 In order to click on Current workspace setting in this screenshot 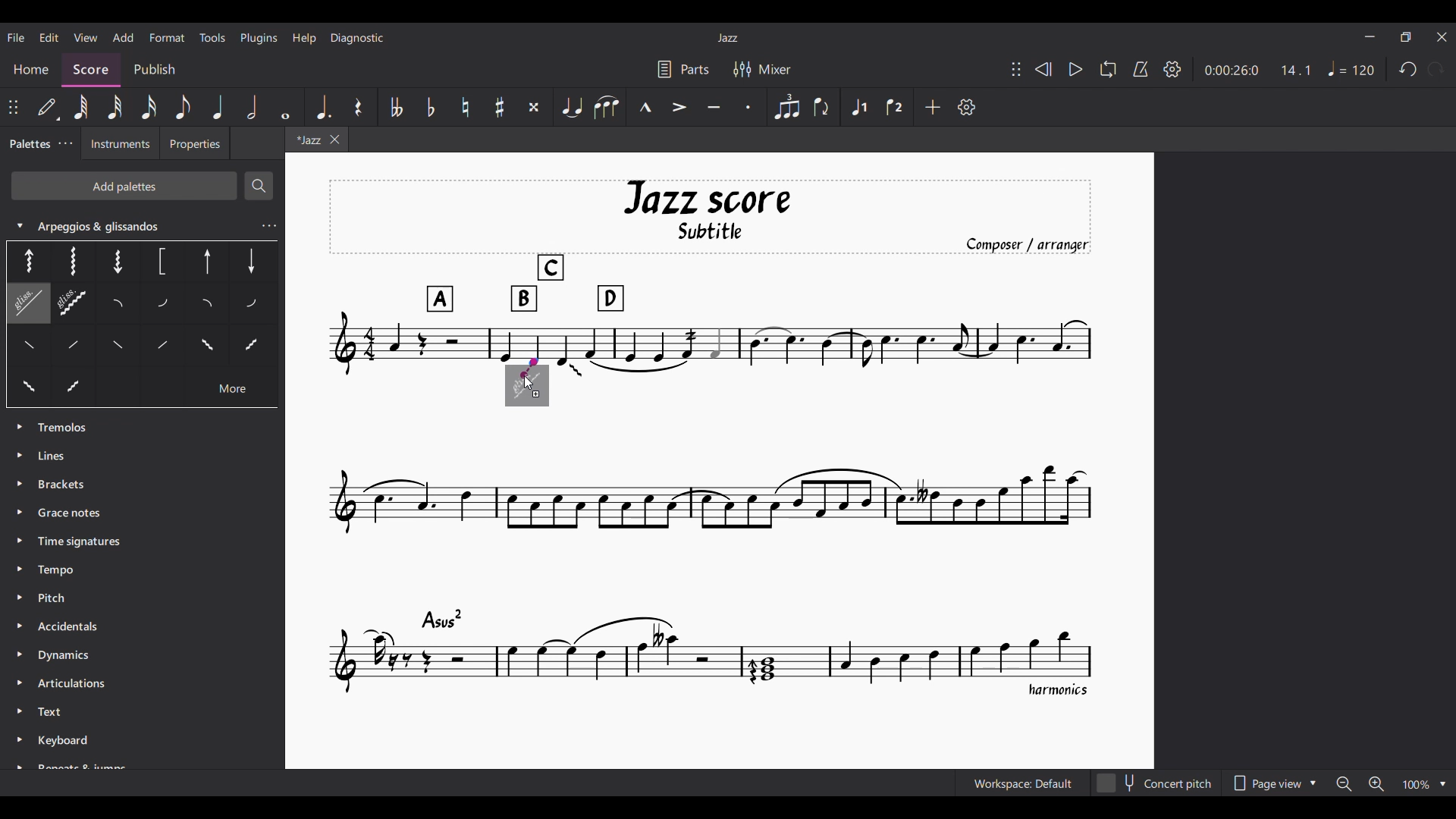, I will do `click(1024, 783)`.